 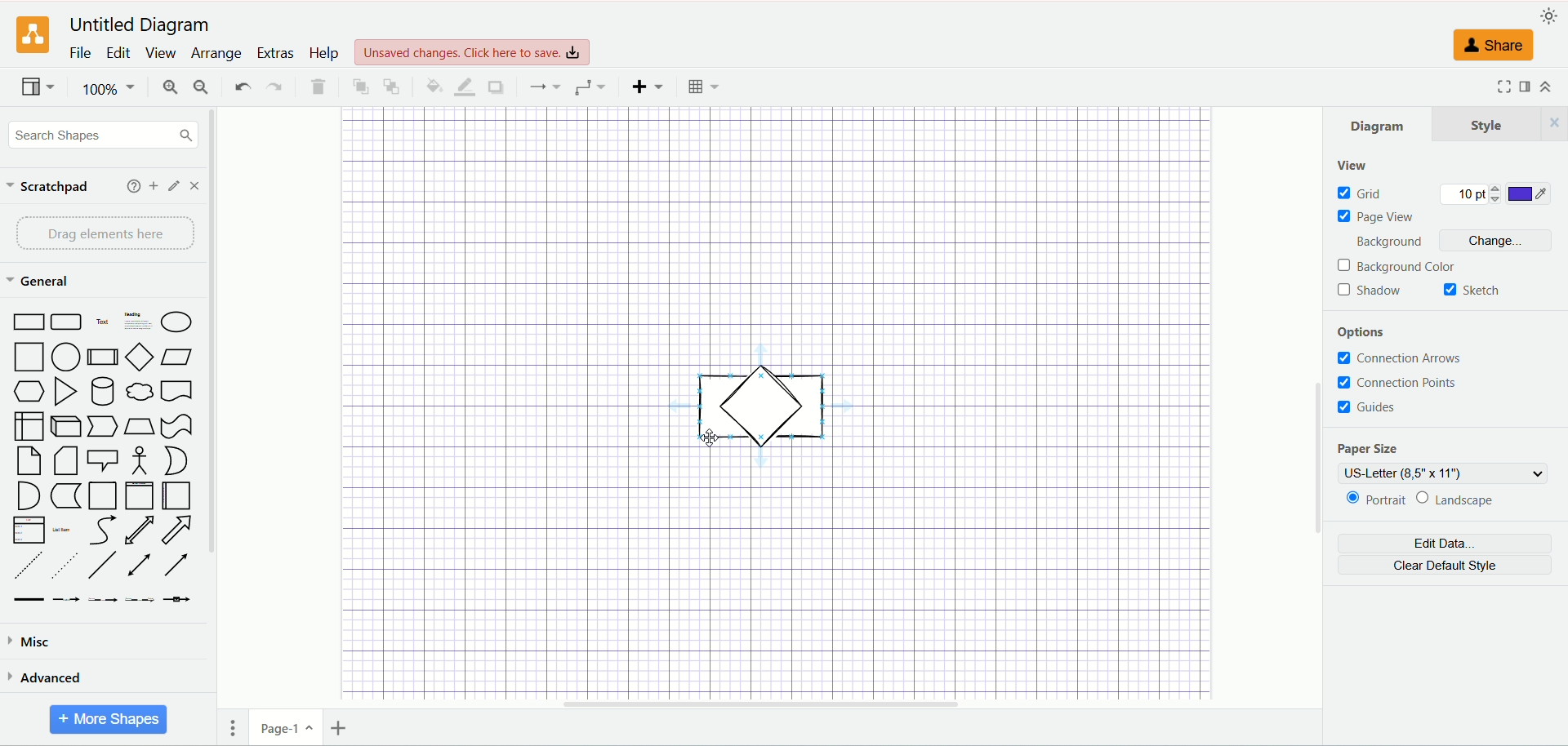 I want to click on edit data, so click(x=1445, y=544).